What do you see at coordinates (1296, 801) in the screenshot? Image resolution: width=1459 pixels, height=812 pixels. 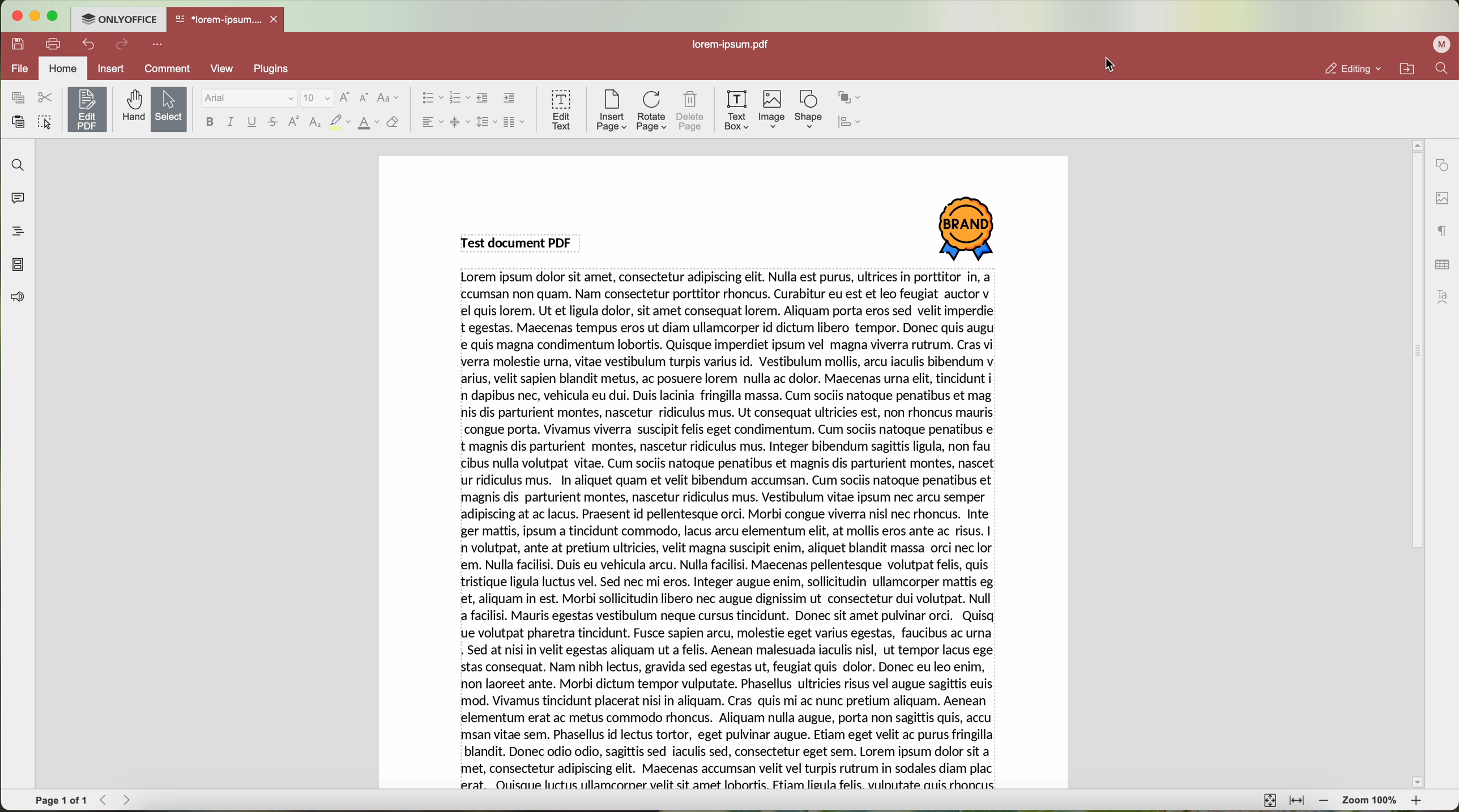 I see `fit to width` at bounding box center [1296, 801].